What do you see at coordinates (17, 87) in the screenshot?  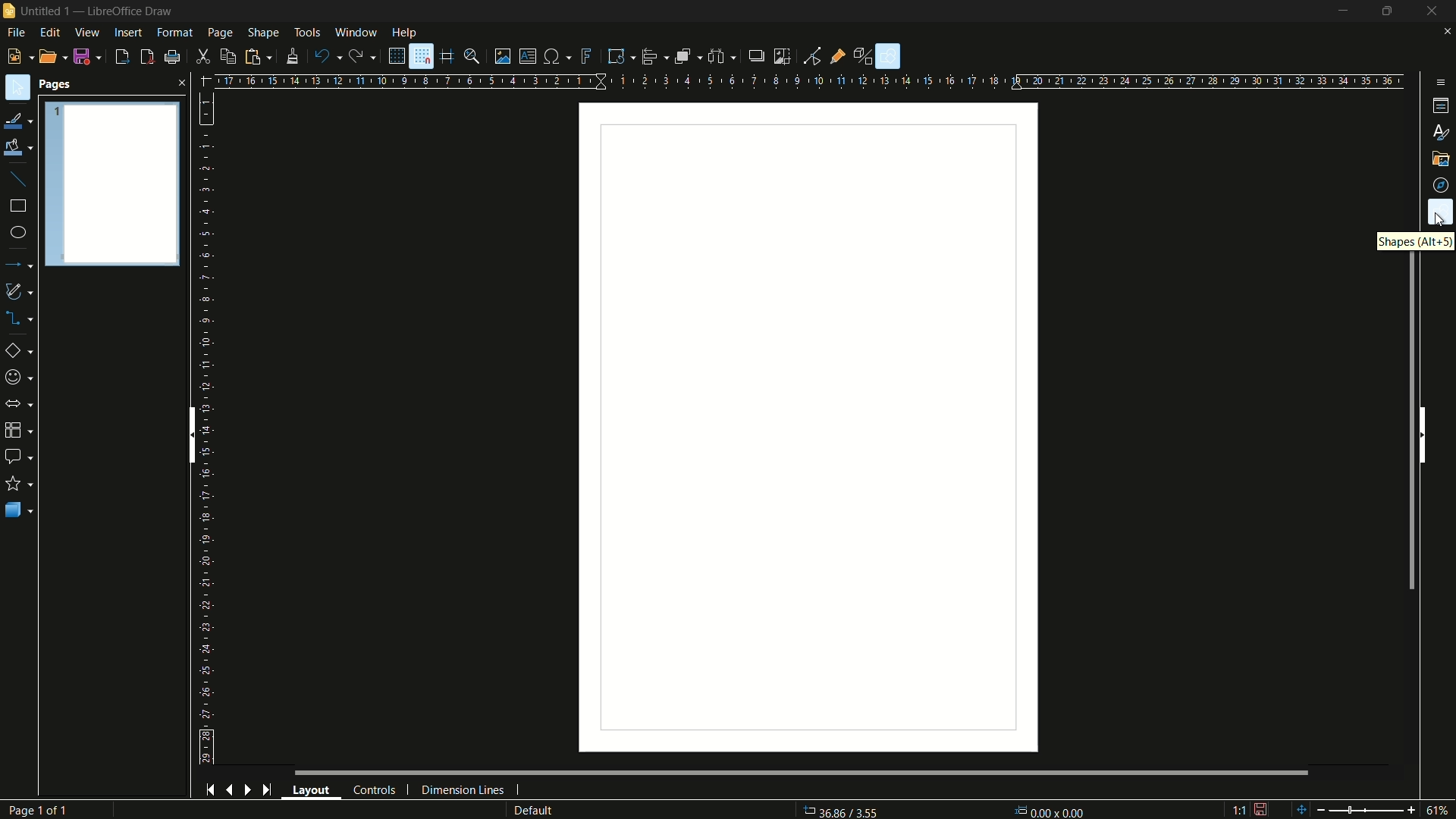 I see `select` at bounding box center [17, 87].